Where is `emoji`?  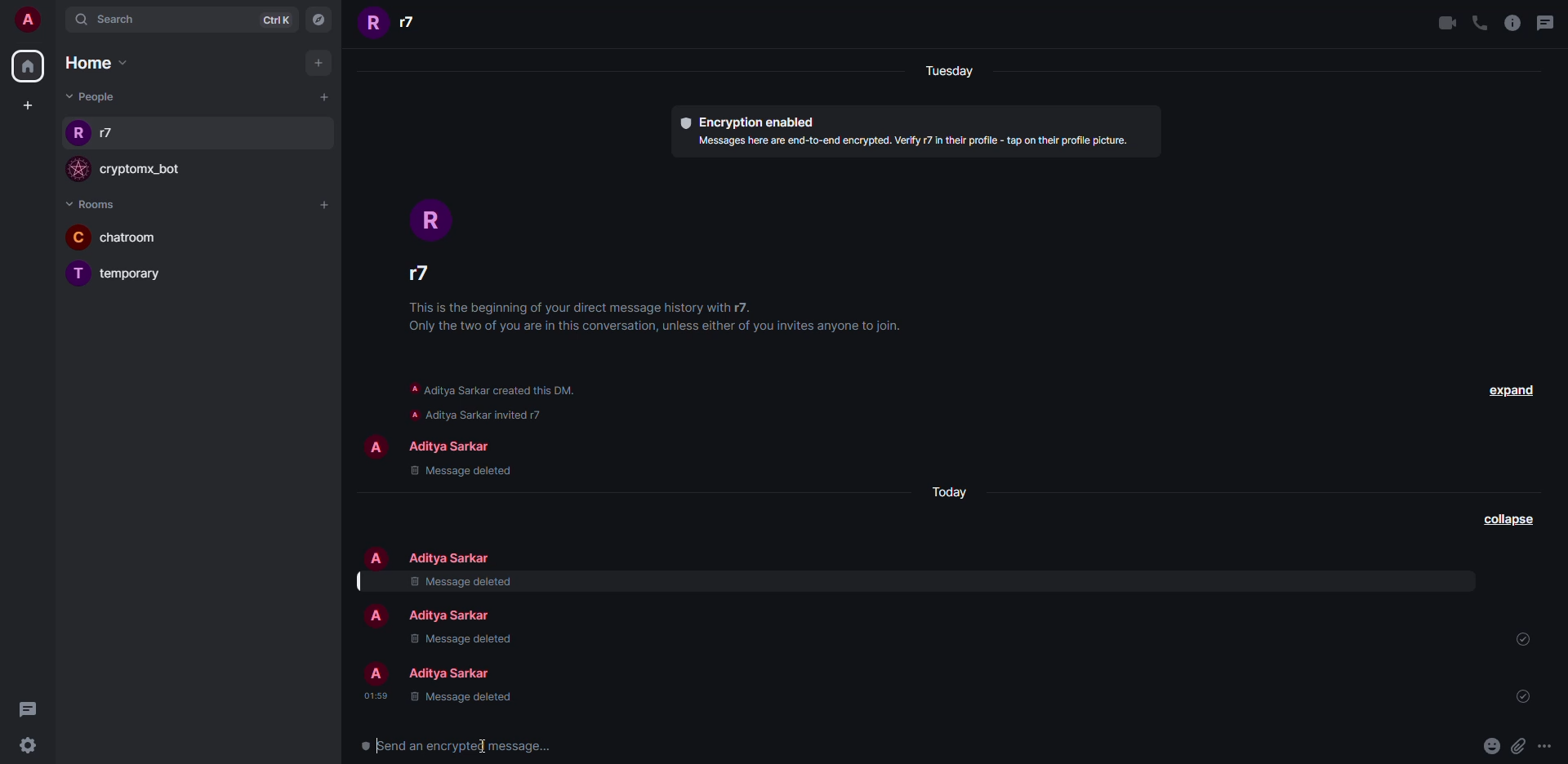 emoji is located at coordinates (1490, 744).